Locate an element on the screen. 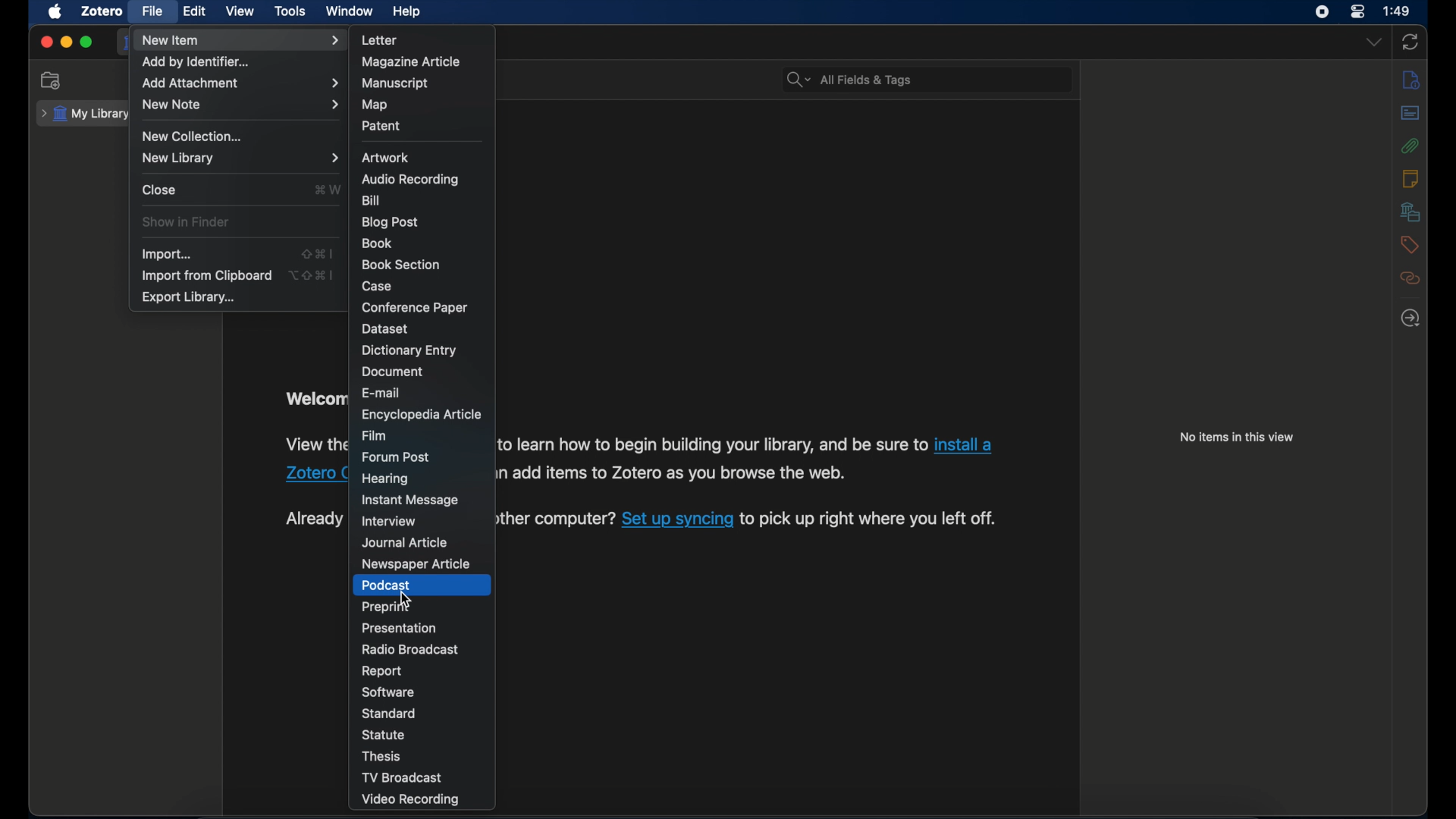 The height and width of the screenshot is (819, 1456). letter is located at coordinates (378, 40).